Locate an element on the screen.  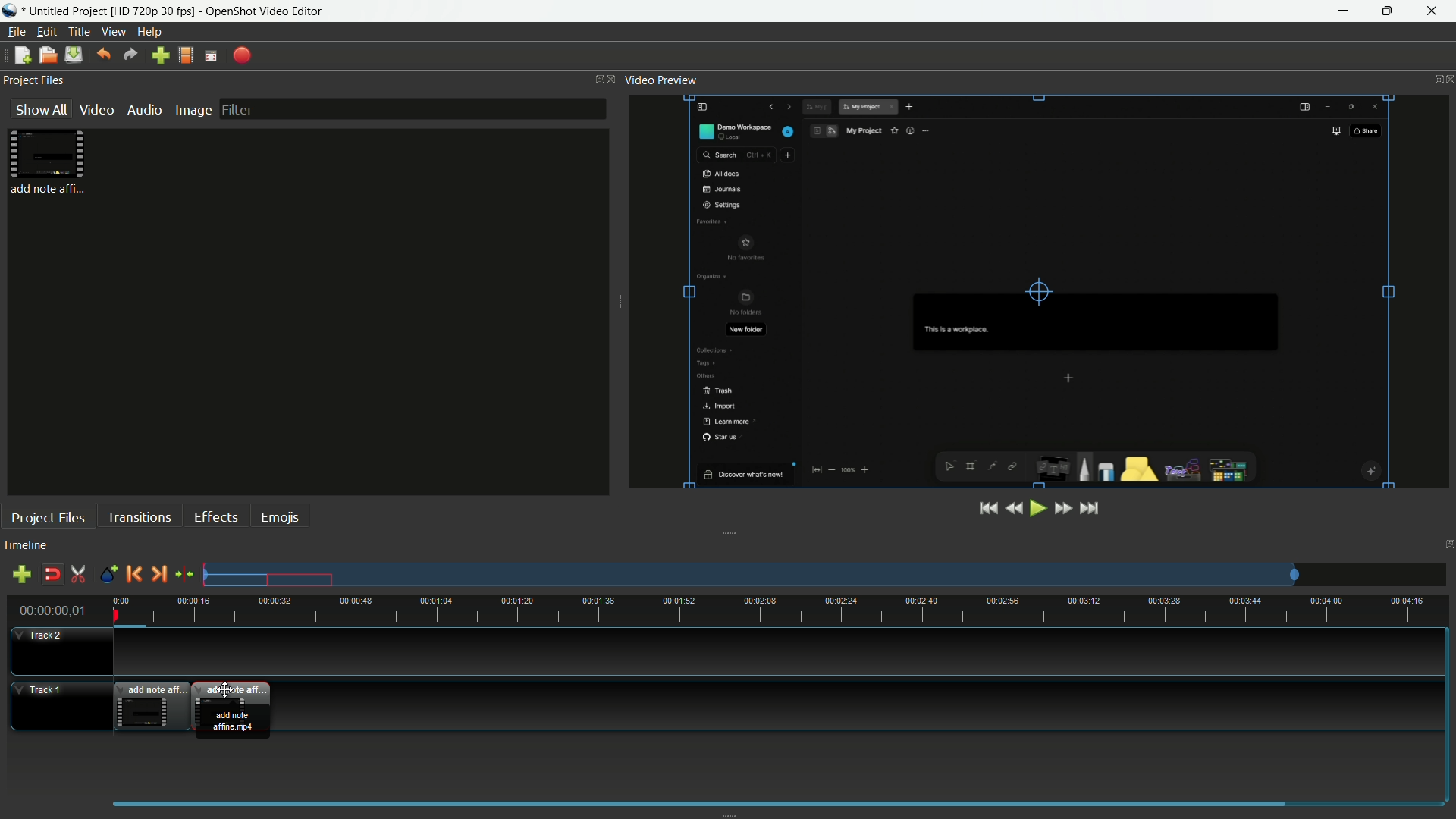
video is located at coordinates (95, 110).